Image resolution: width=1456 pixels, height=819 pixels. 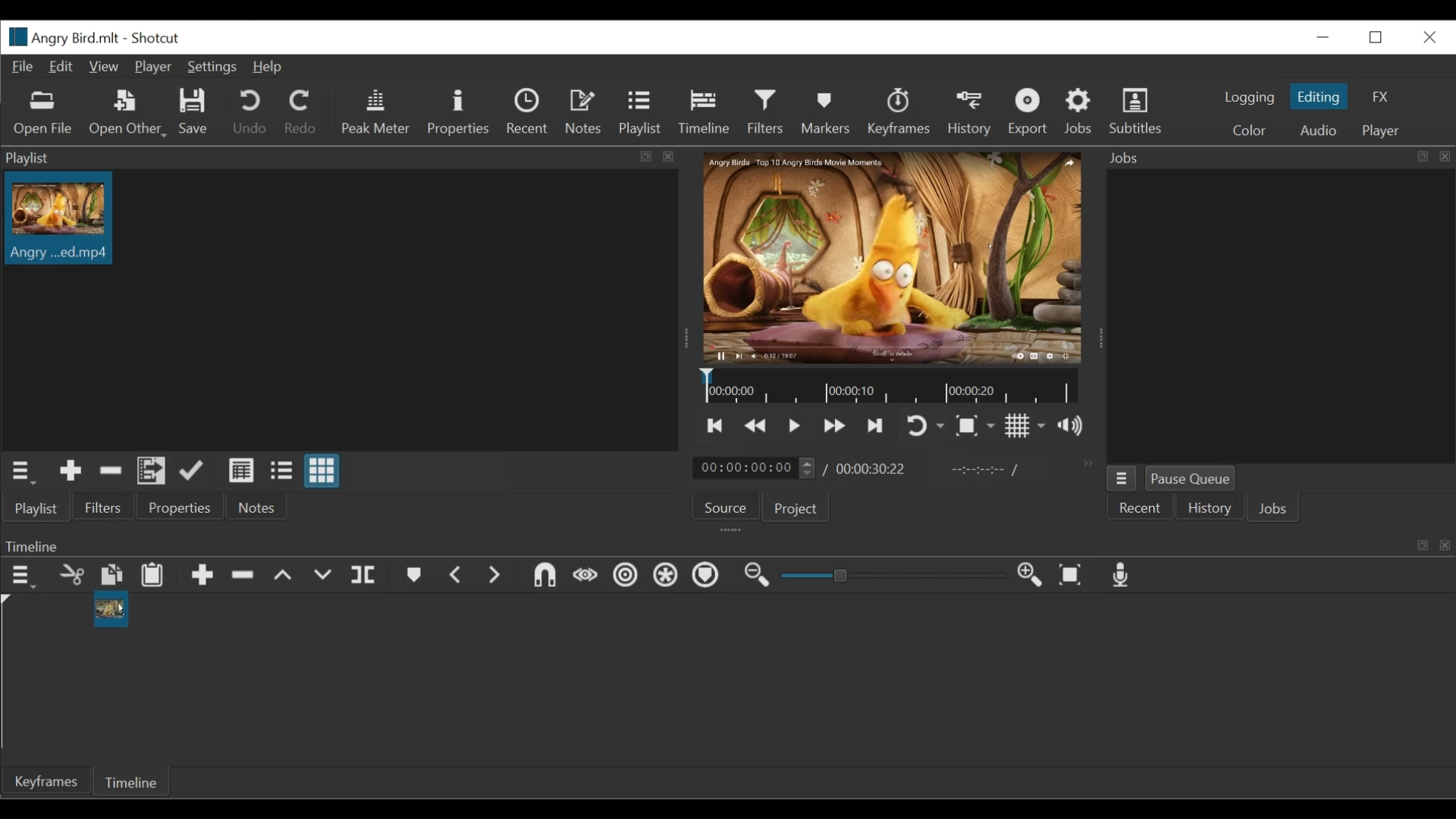 What do you see at coordinates (625, 577) in the screenshot?
I see `Rippe` at bounding box center [625, 577].